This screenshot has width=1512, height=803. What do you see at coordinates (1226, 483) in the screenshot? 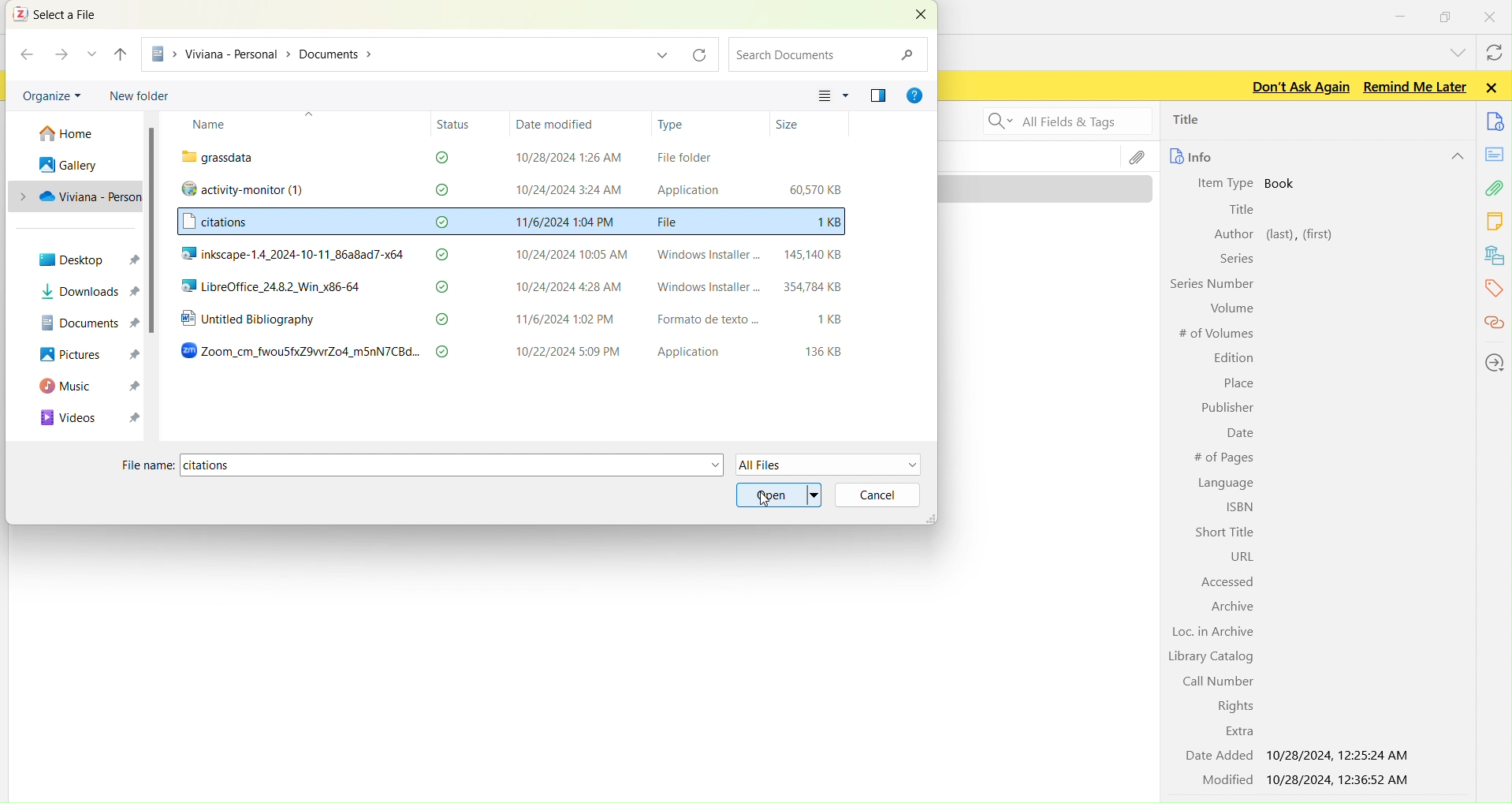
I see `Language` at bounding box center [1226, 483].